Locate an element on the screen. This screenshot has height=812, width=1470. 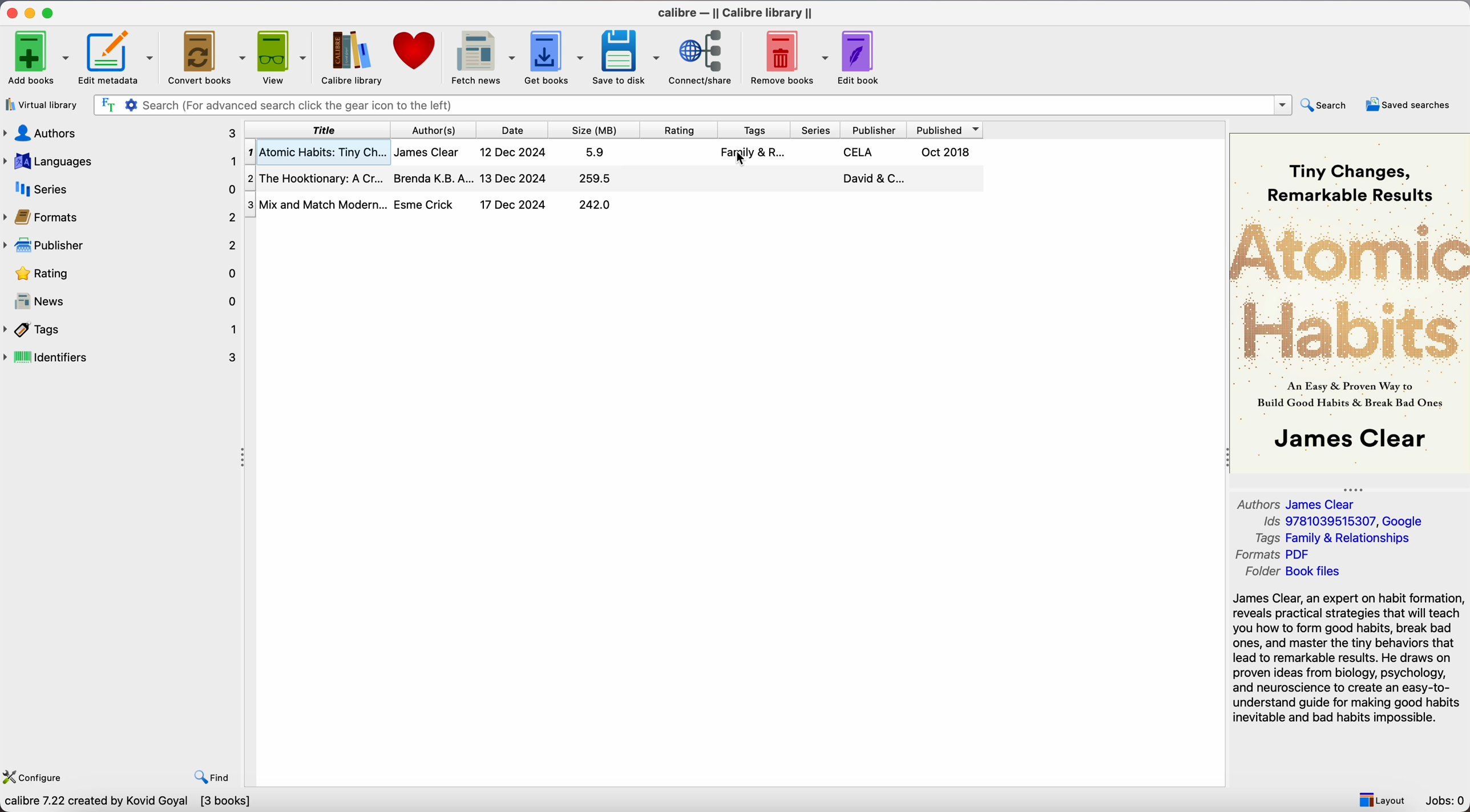
series is located at coordinates (817, 130).